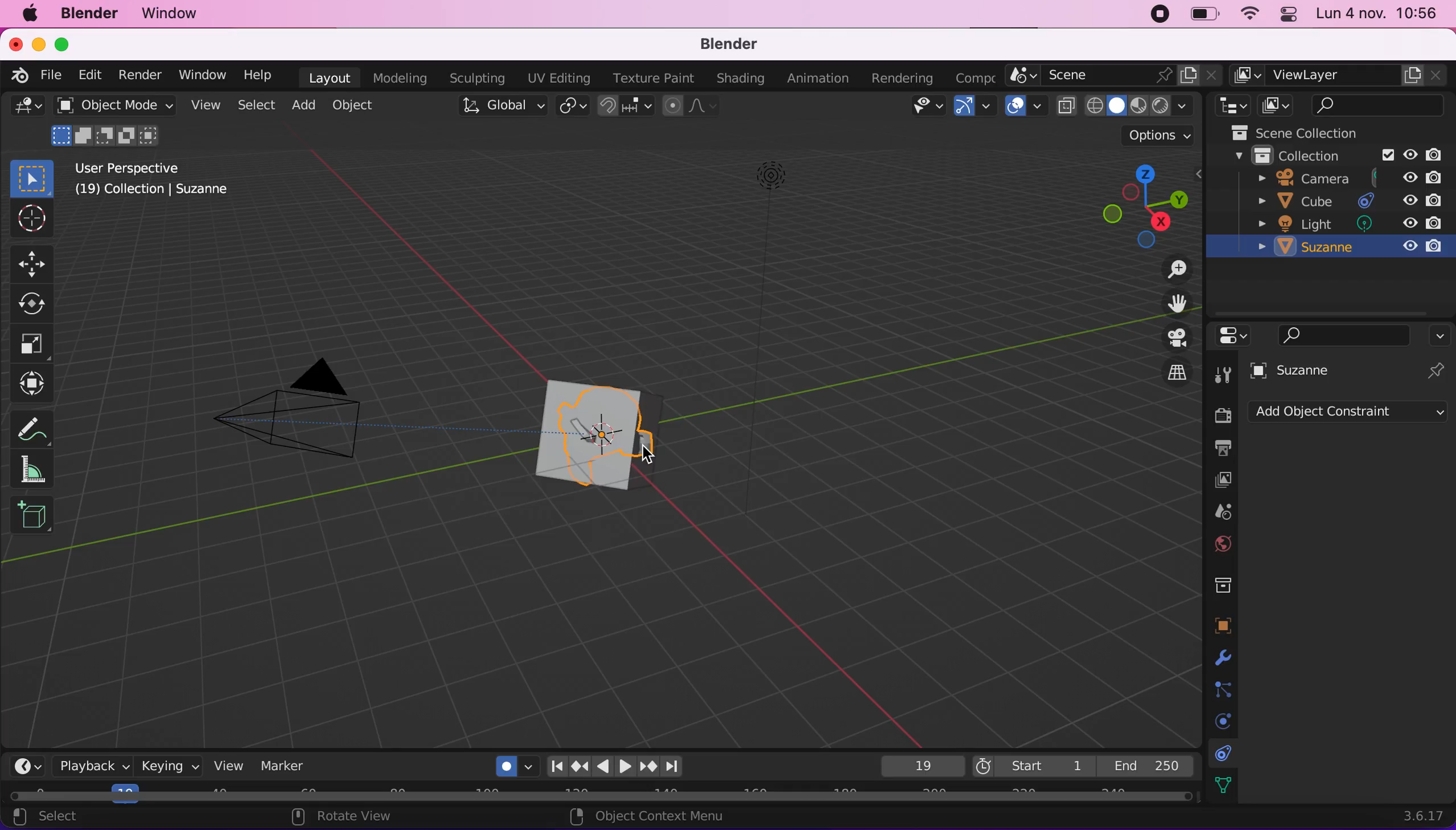 The image size is (1456, 830). I want to click on camera, so click(1345, 178).